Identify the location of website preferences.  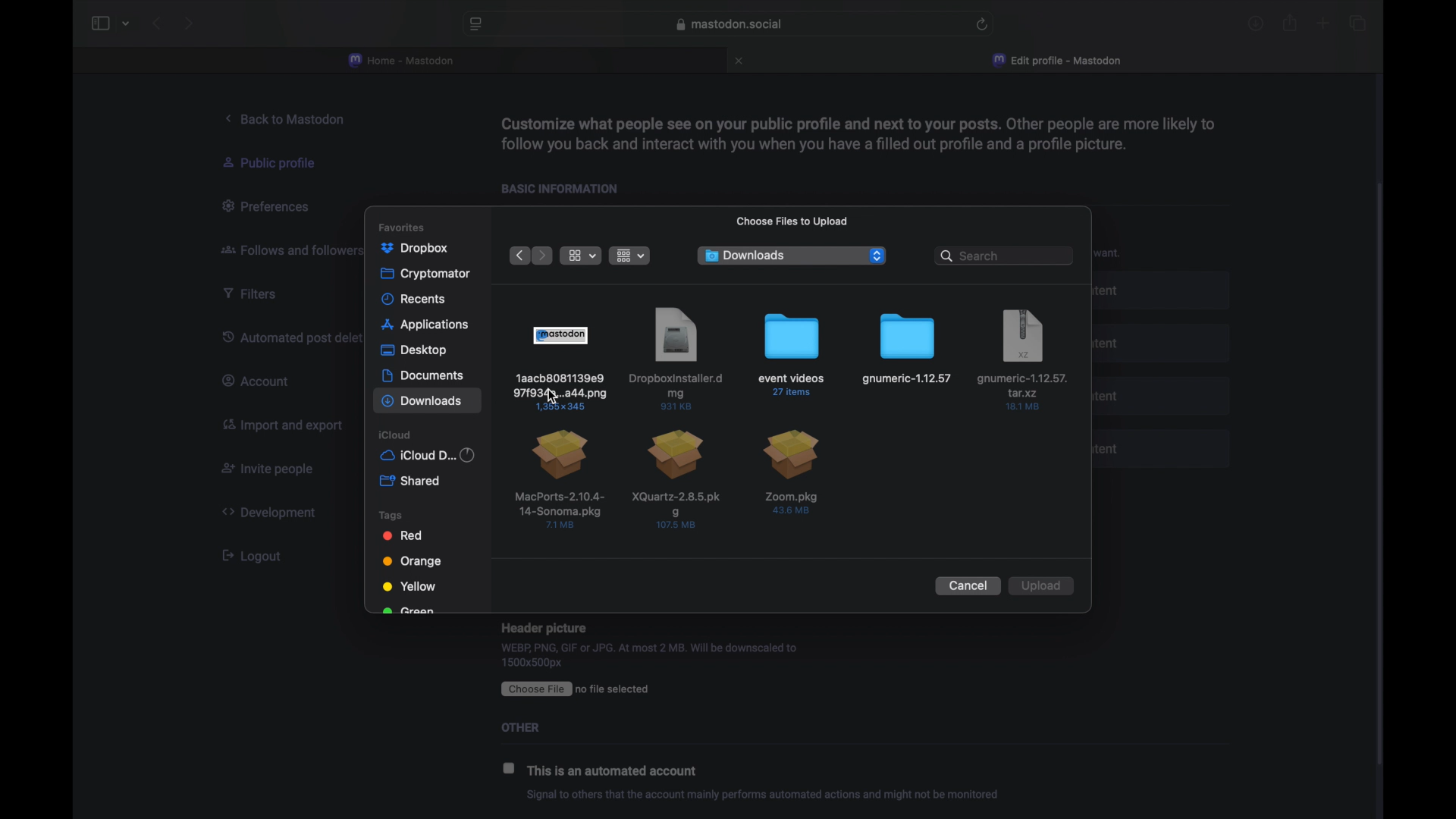
(475, 25).